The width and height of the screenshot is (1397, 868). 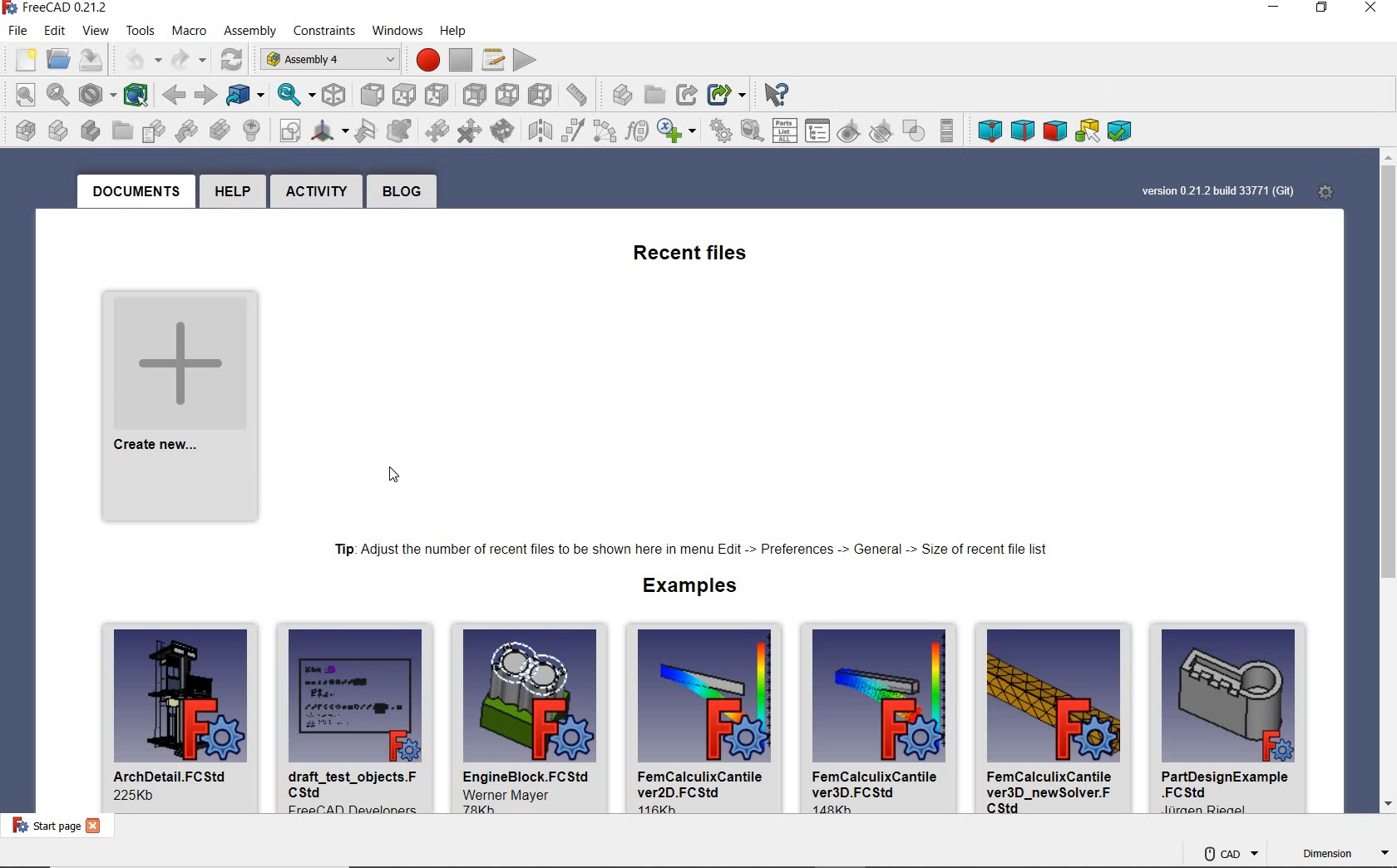 I want to click on check interferences, so click(x=912, y=131).